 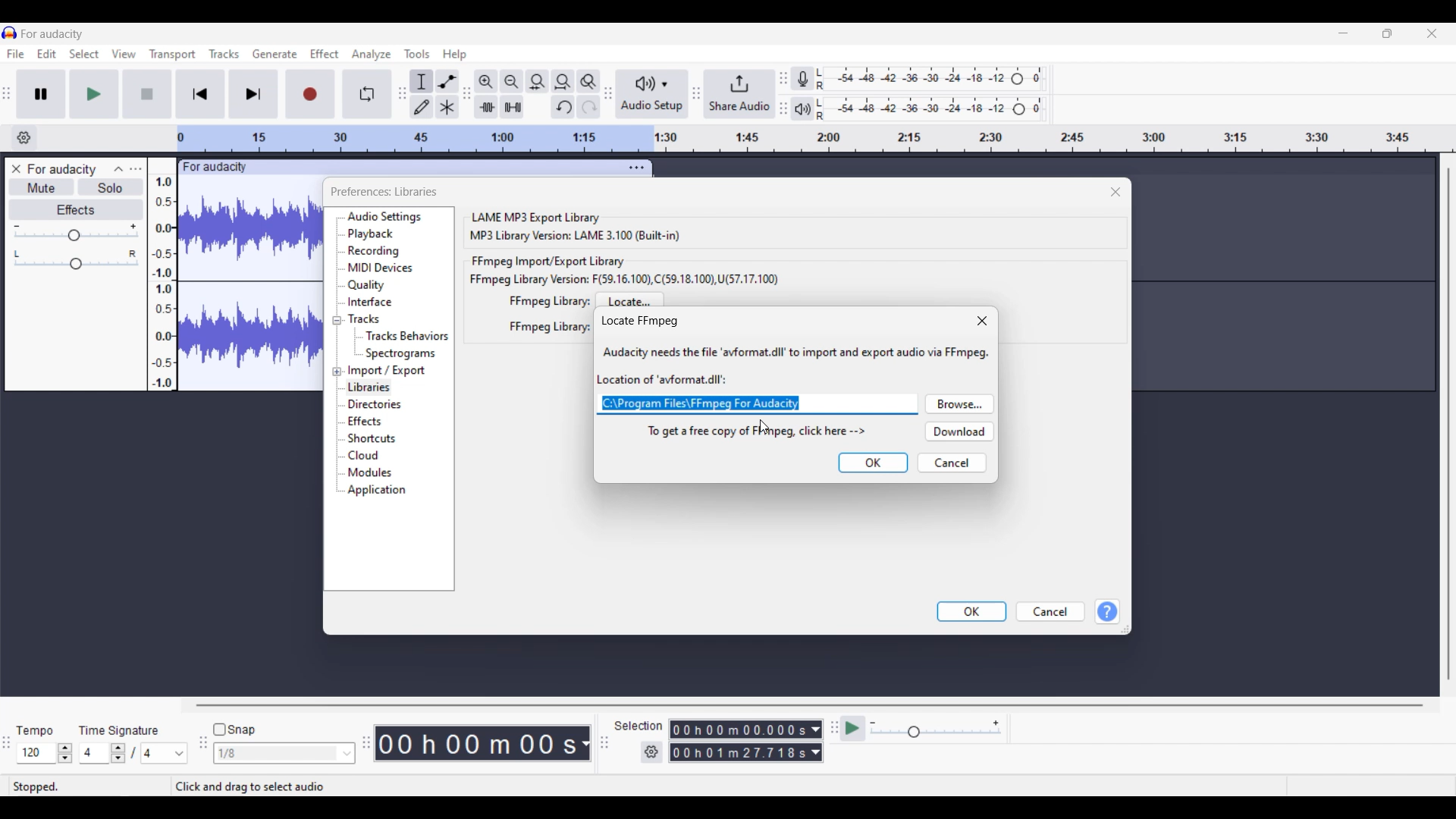 What do you see at coordinates (385, 192) in the screenshot?
I see `preferences: libraries` at bounding box center [385, 192].